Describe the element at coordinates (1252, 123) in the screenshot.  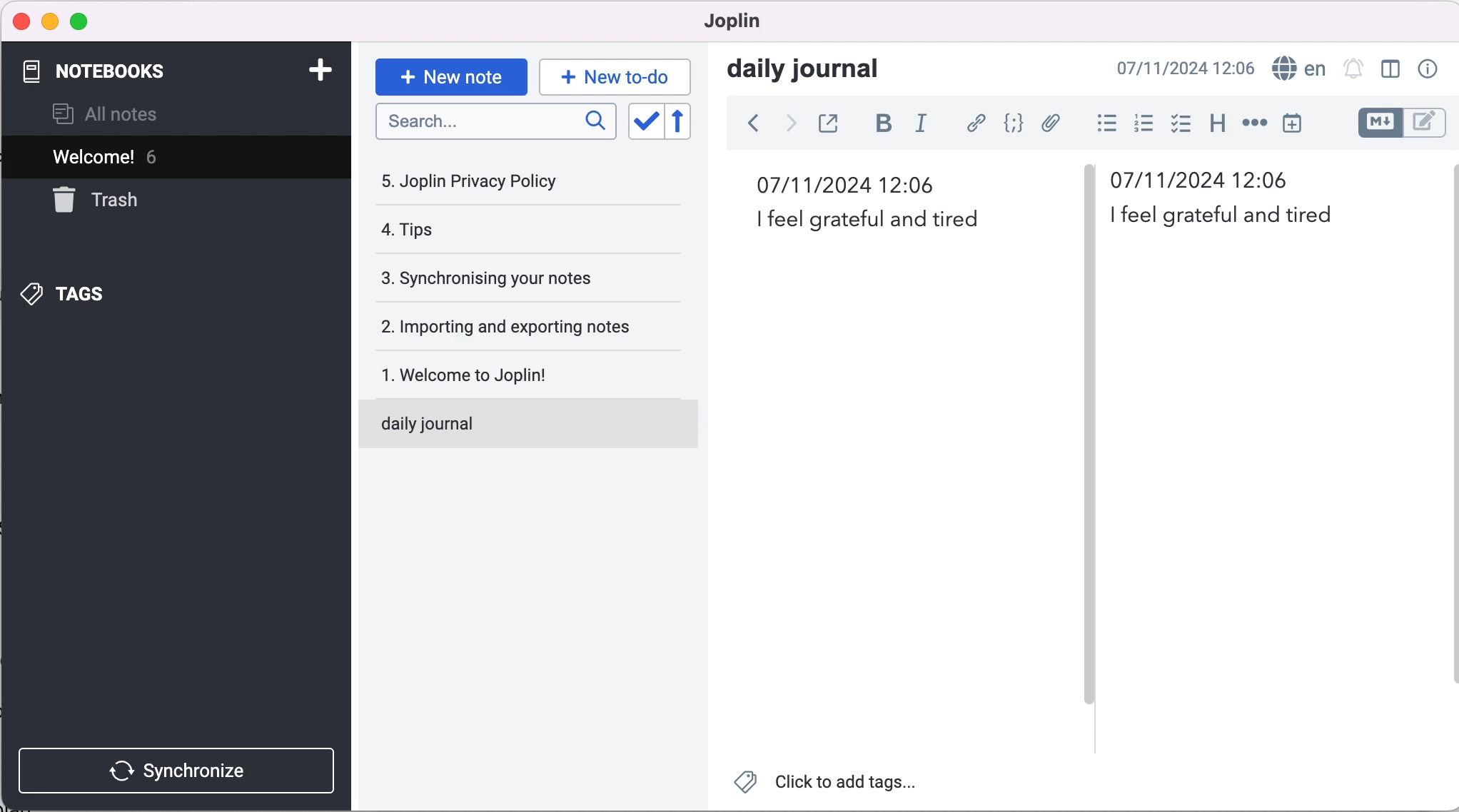
I see `horizontal rule` at that location.